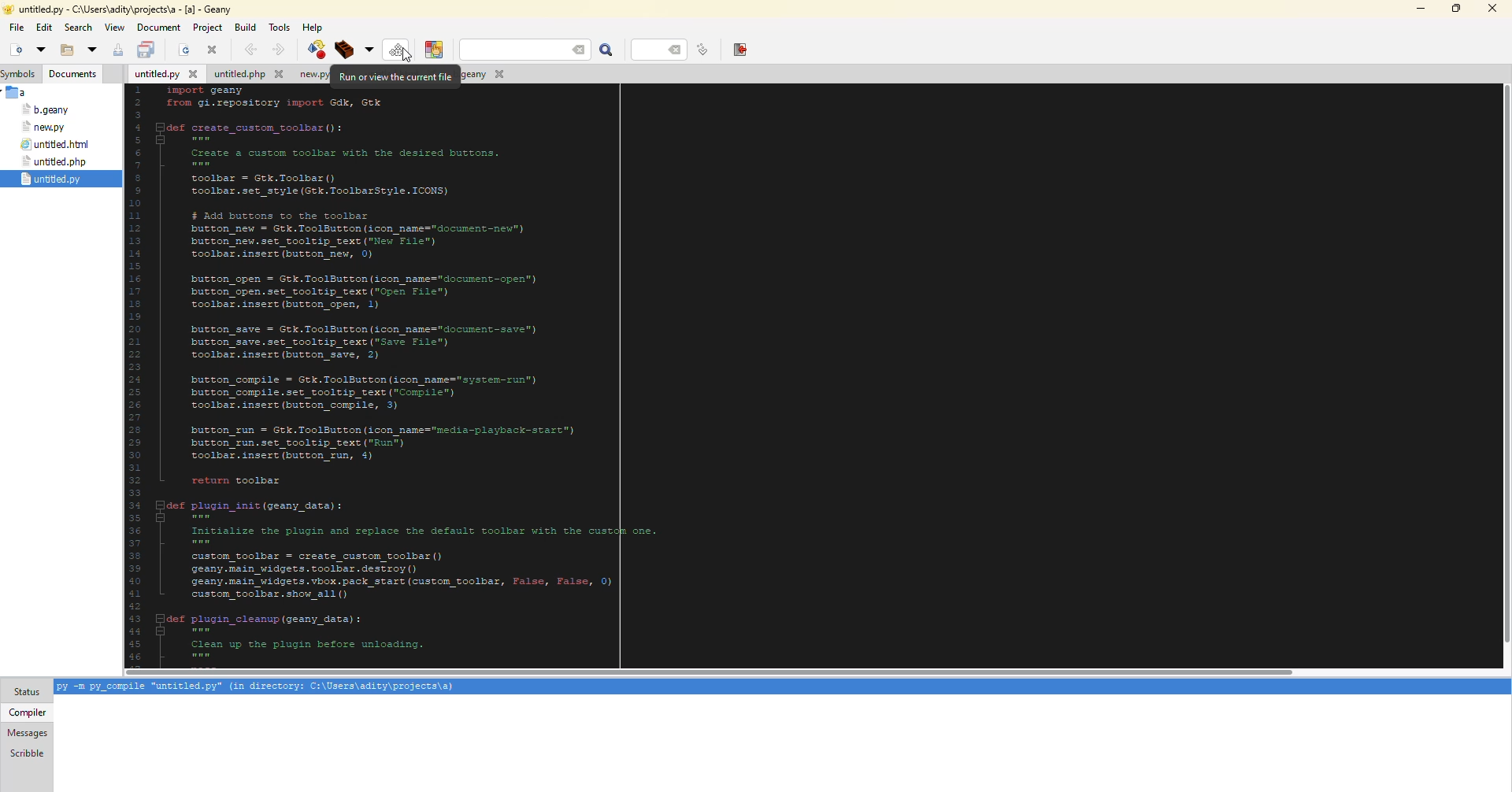  I want to click on file, so click(17, 26).